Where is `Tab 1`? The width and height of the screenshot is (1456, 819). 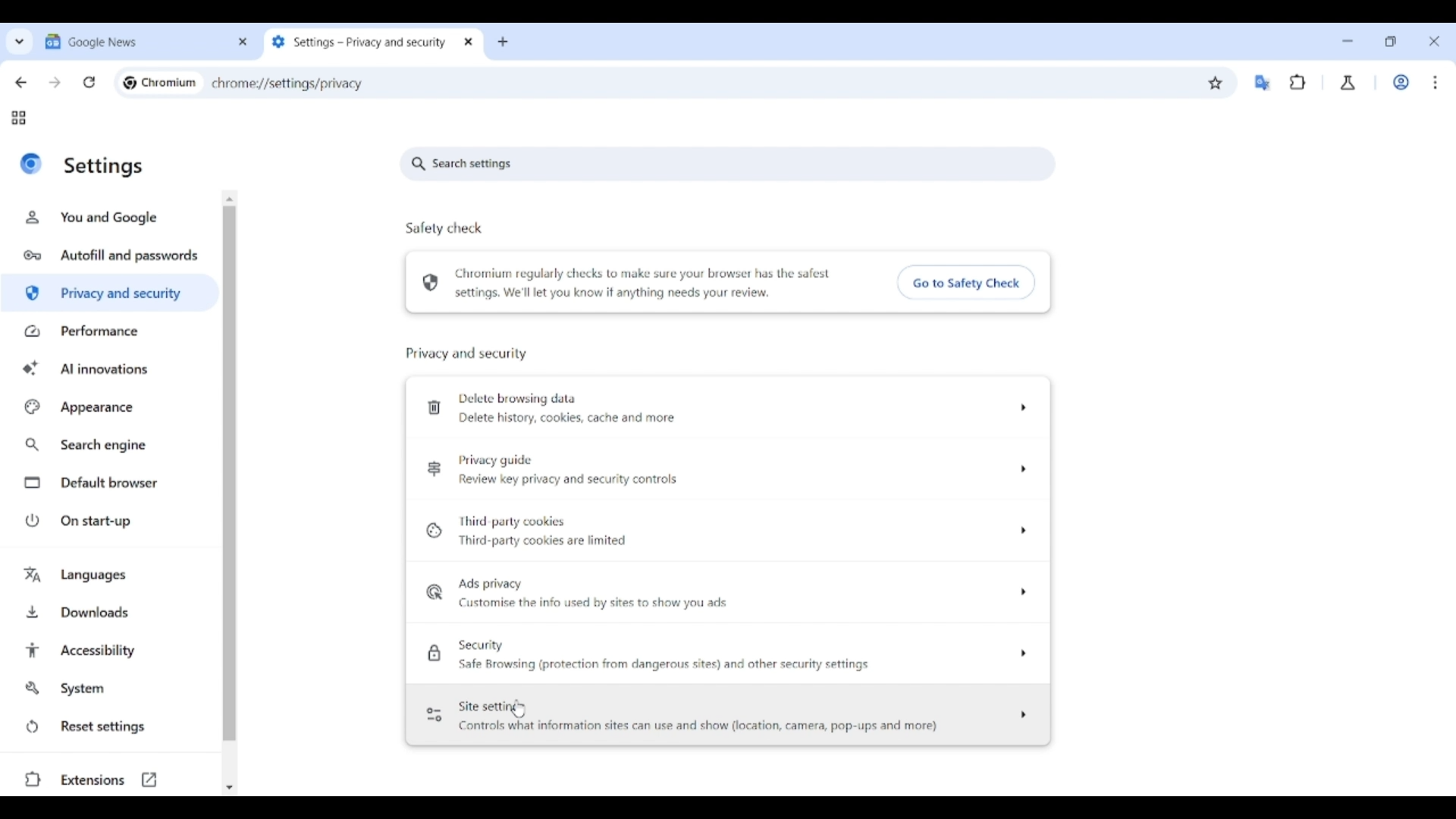 Tab 1 is located at coordinates (135, 41).